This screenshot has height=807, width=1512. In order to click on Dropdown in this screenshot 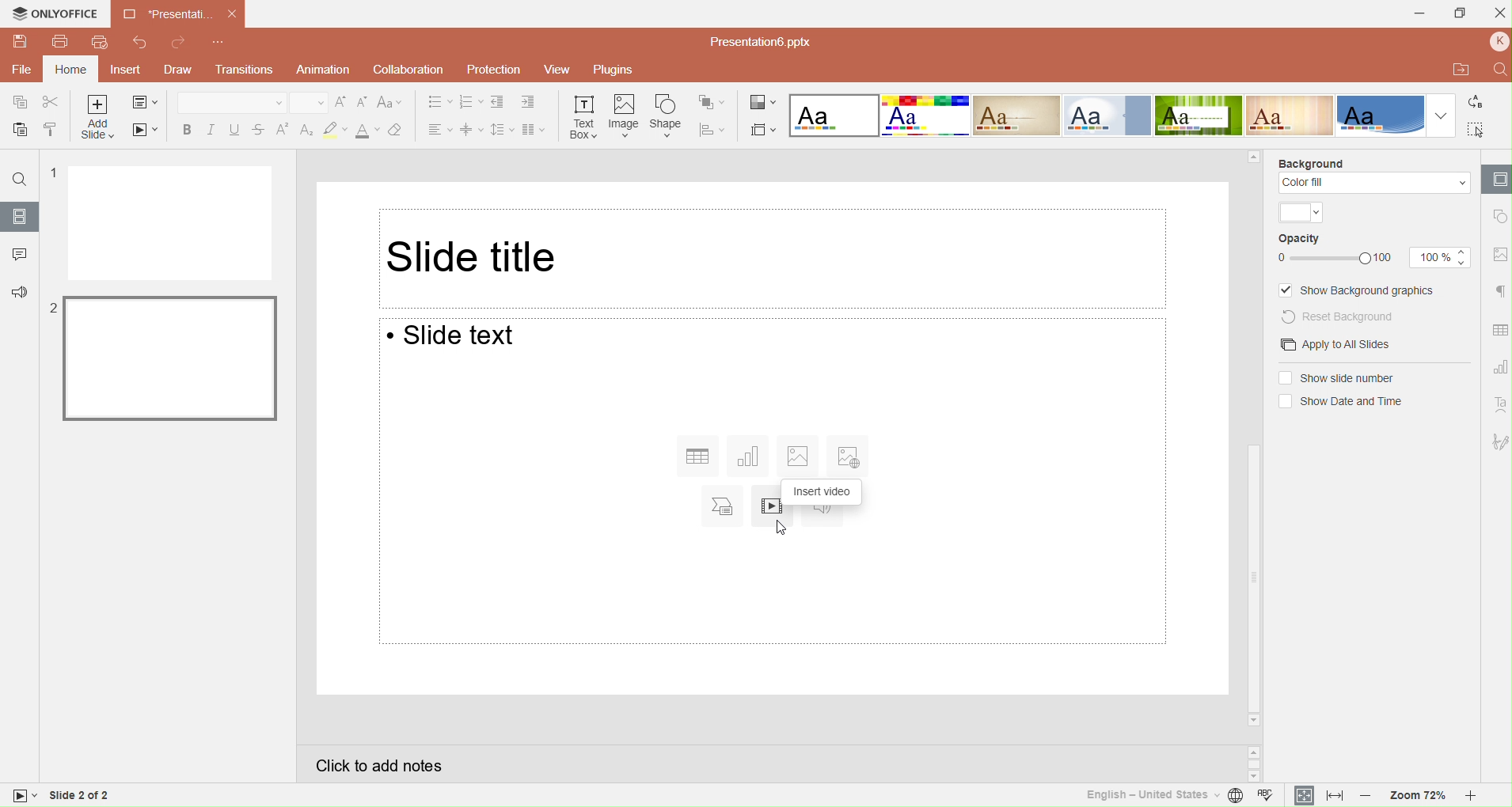, I will do `click(1439, 116)`.